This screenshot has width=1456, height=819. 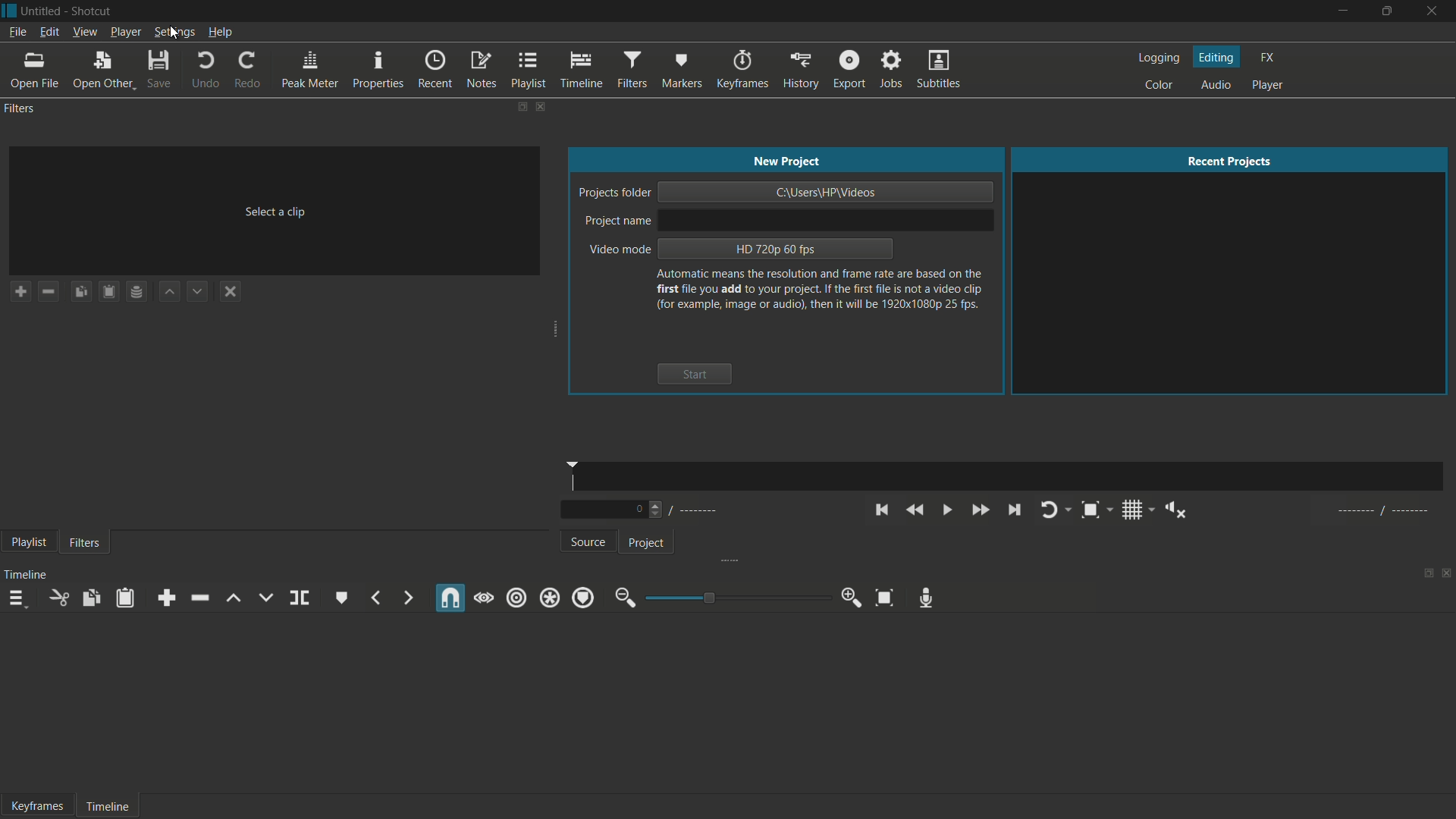 What do you see at coordinates (881, 510) in the screenshot?
I see `skip to the previous point` at bounding box center [881, 510].